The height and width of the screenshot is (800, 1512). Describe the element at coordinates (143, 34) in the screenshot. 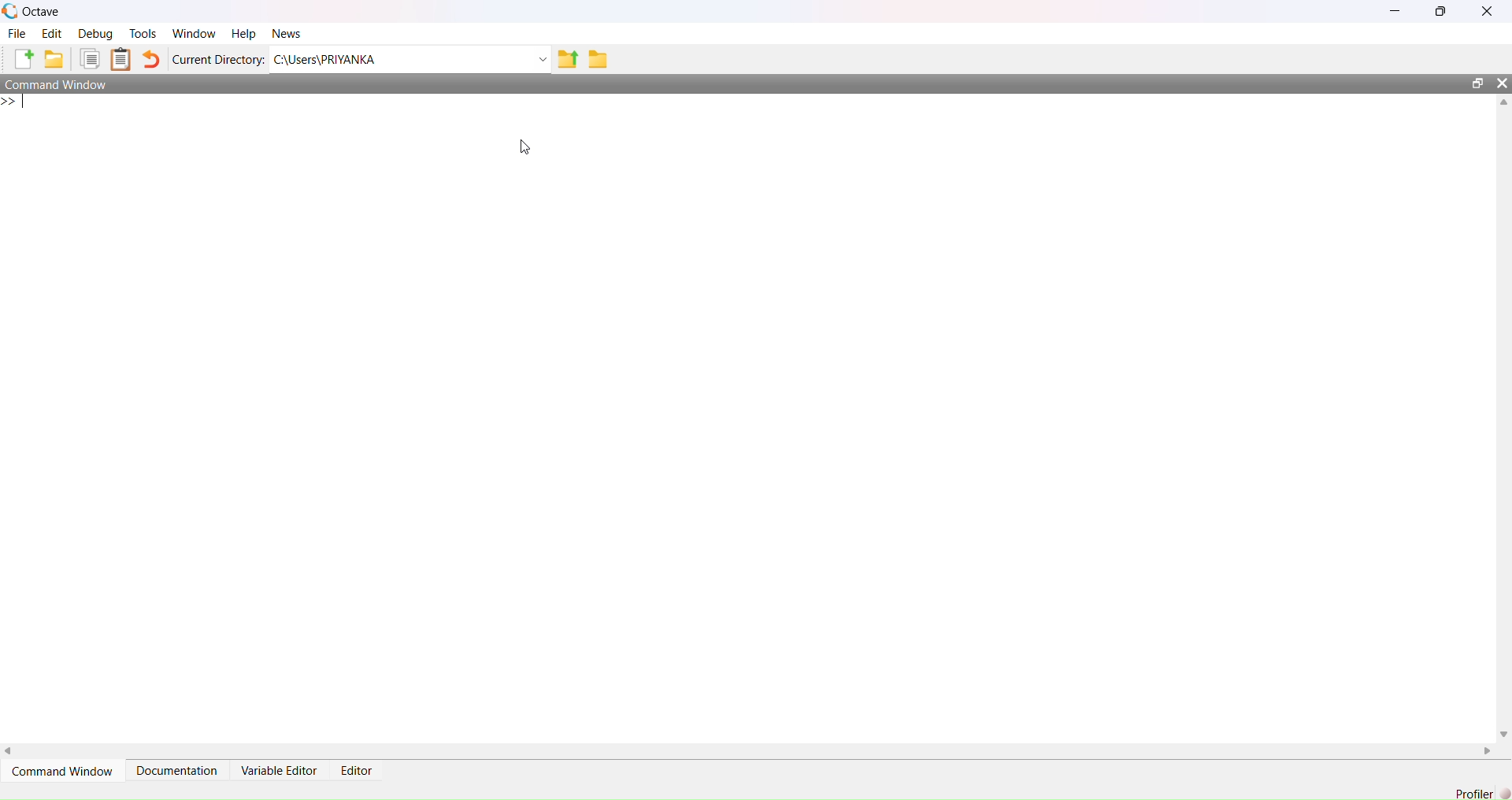

I see `Tools` at that location.